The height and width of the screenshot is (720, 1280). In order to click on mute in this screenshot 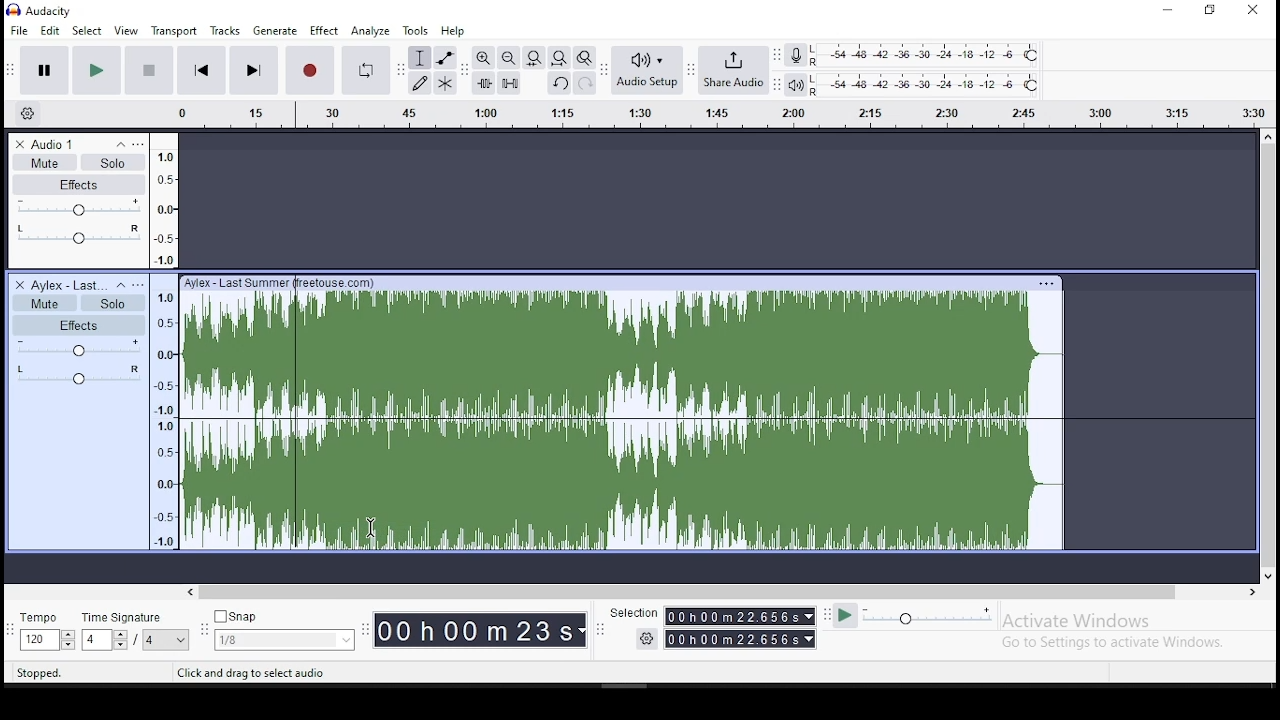, I will do `click(43, 302)`.